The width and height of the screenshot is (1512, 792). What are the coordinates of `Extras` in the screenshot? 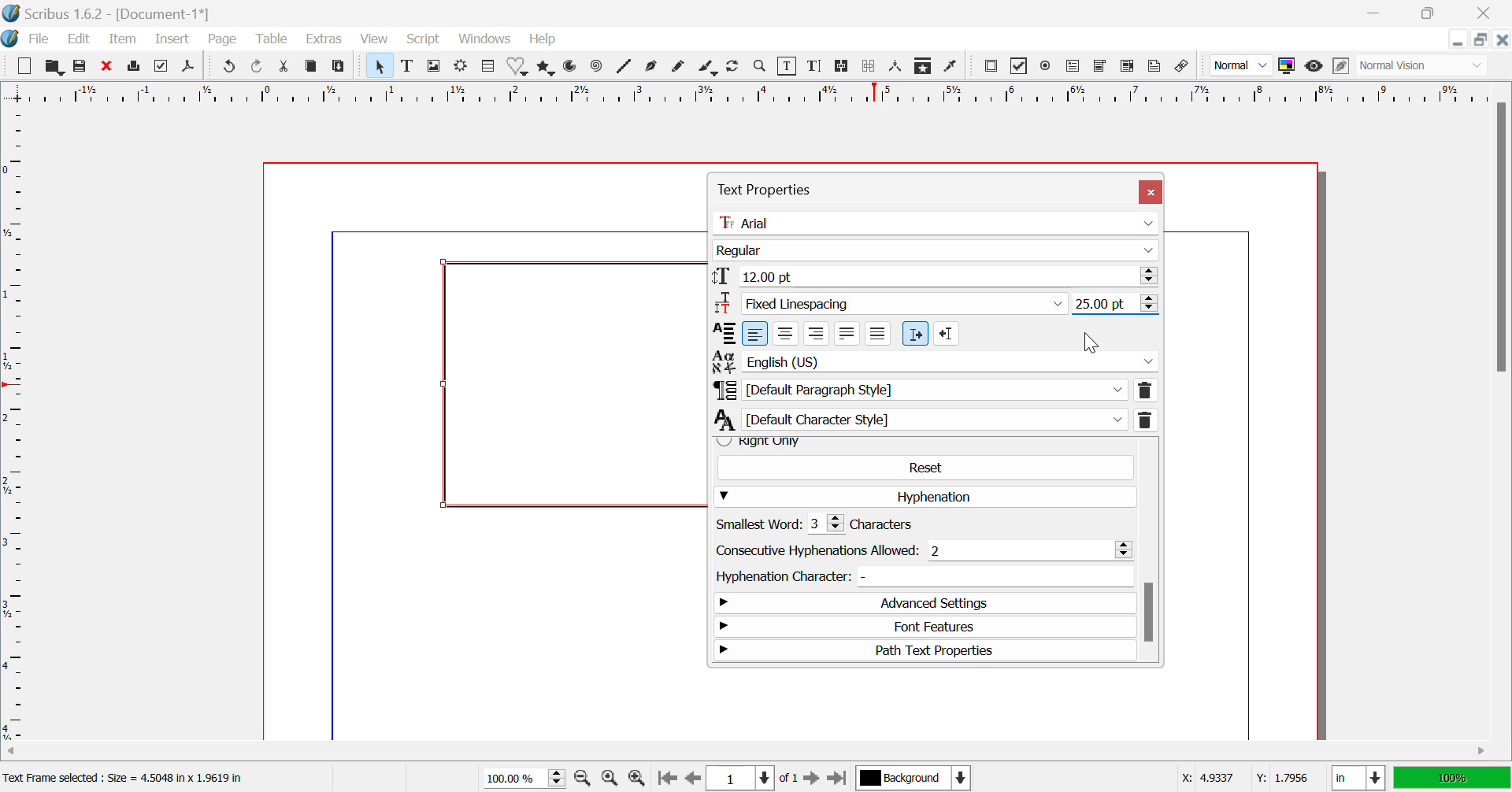 It's located at (323, 39).